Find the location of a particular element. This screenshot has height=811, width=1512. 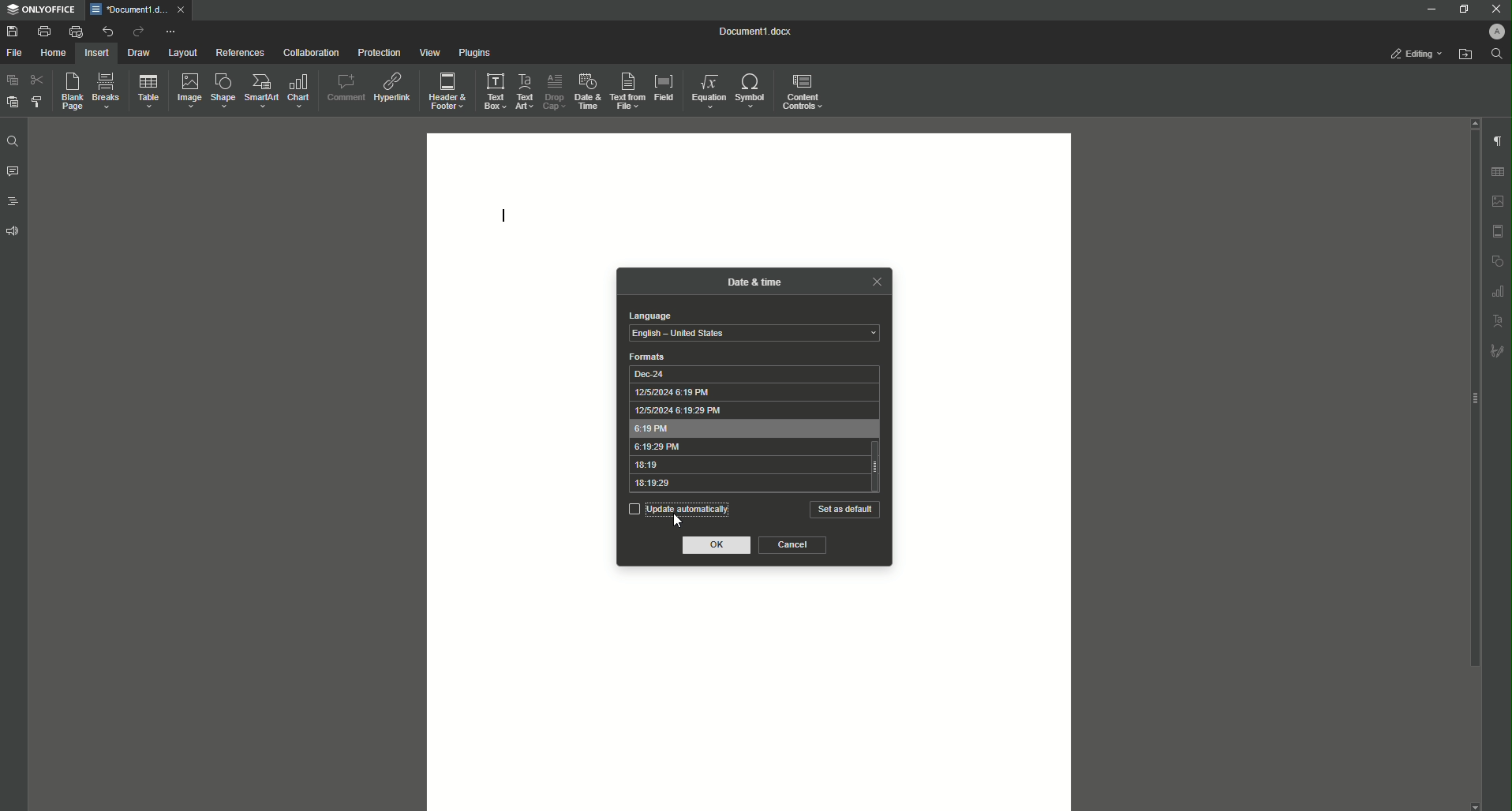

Cancel is located at coordinates (793, 545).